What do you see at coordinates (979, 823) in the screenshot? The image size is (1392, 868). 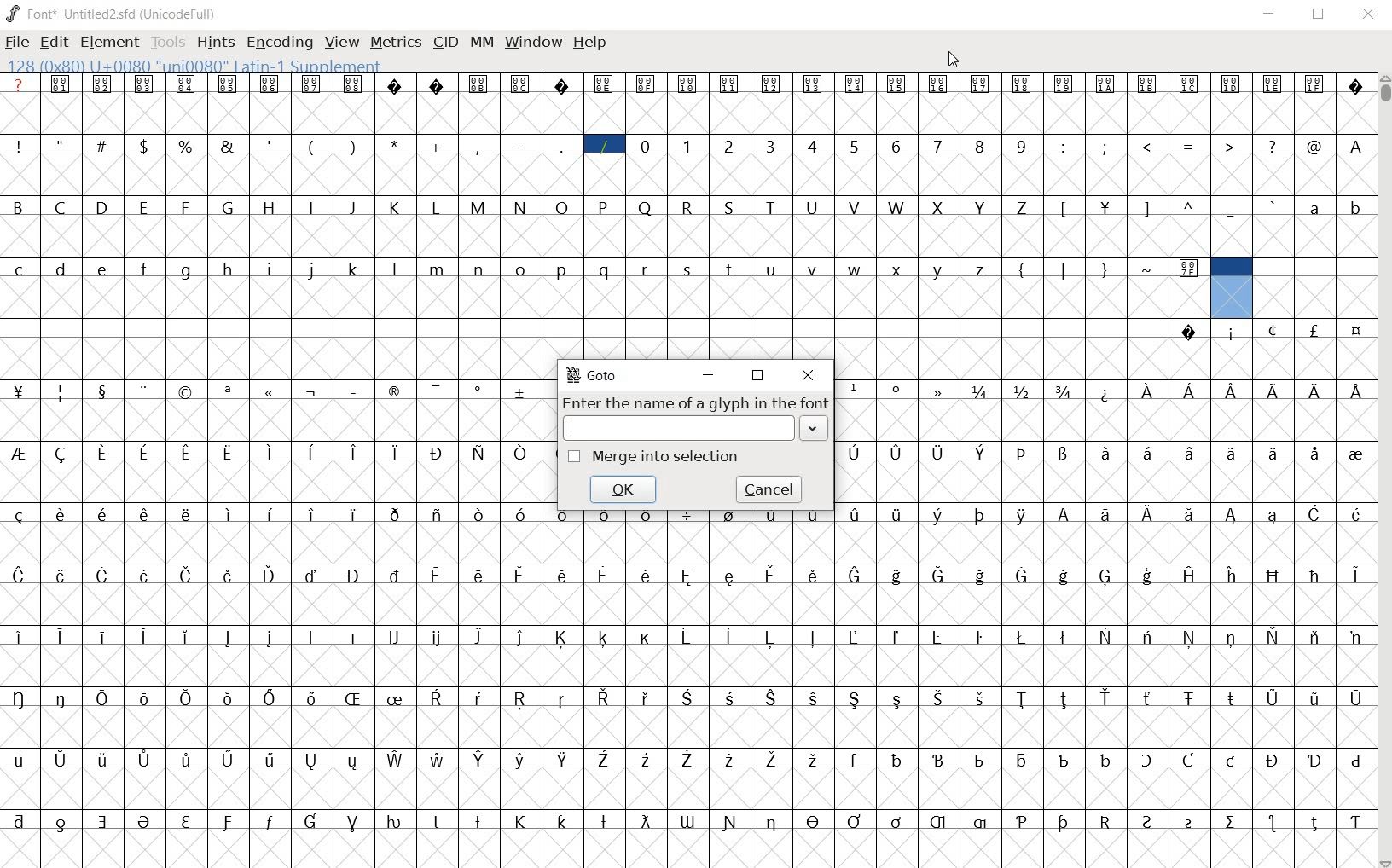 I see `Symbol` at bounding box center [979, 823].